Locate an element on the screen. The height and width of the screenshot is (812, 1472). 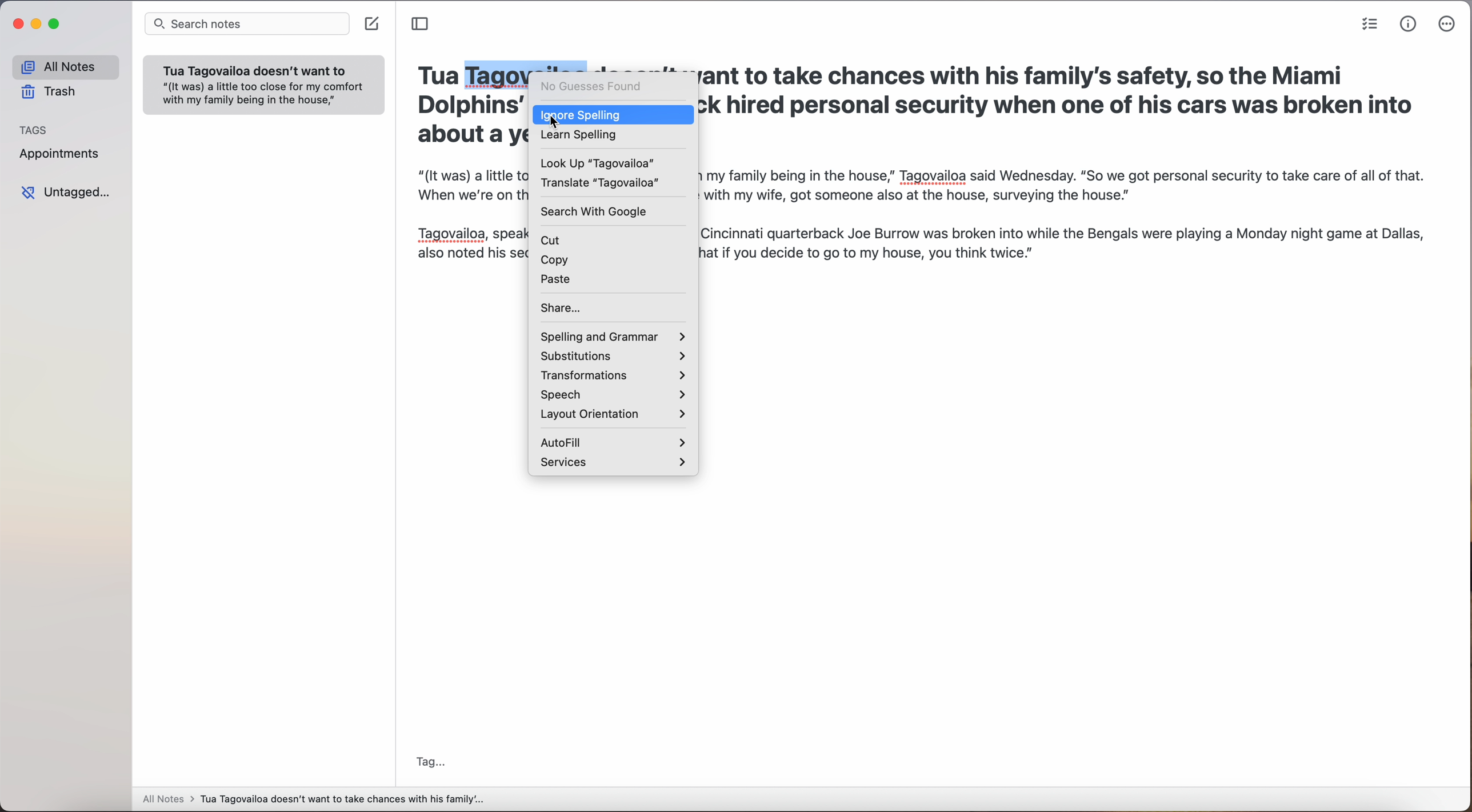
all notes > Tua Tagovailoa doesn't want to take chances with his family... is located at coordinates (314, 799).